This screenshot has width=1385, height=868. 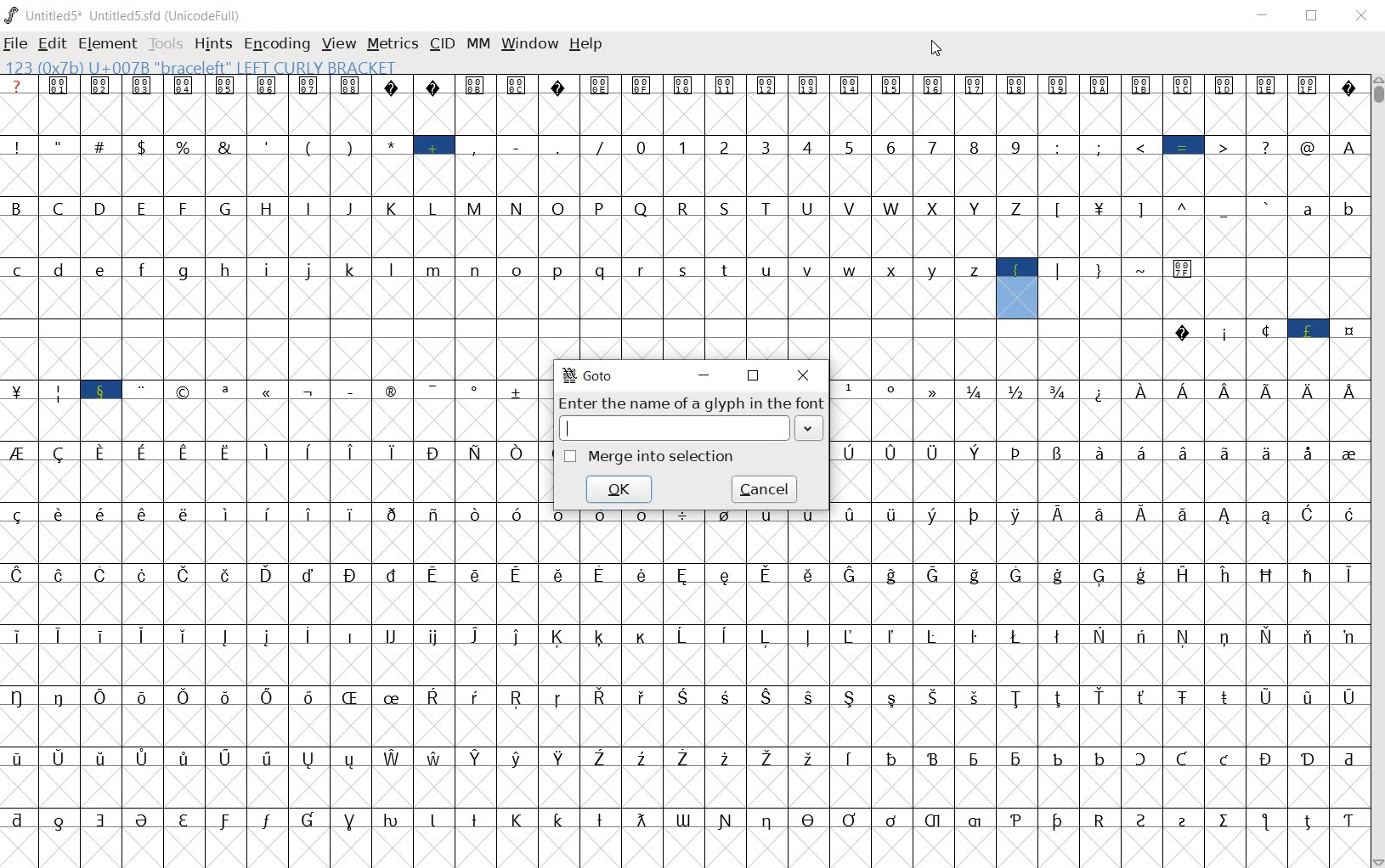 What do you see at coordinates (704, 375) in the screenshot?
I see `MINIMIZE` at bounding box center [704, 375].